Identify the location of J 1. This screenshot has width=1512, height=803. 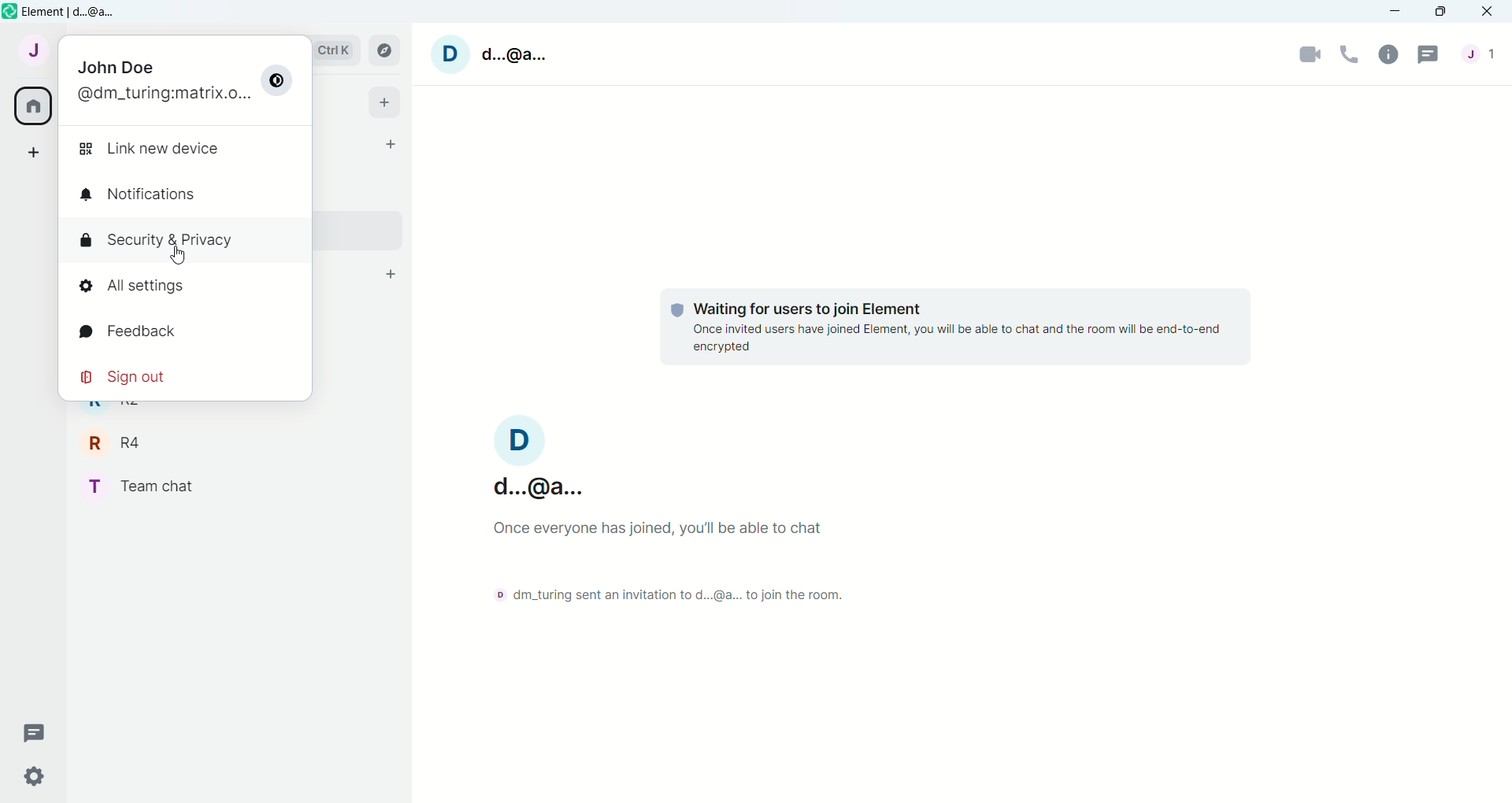
(1479, 53).